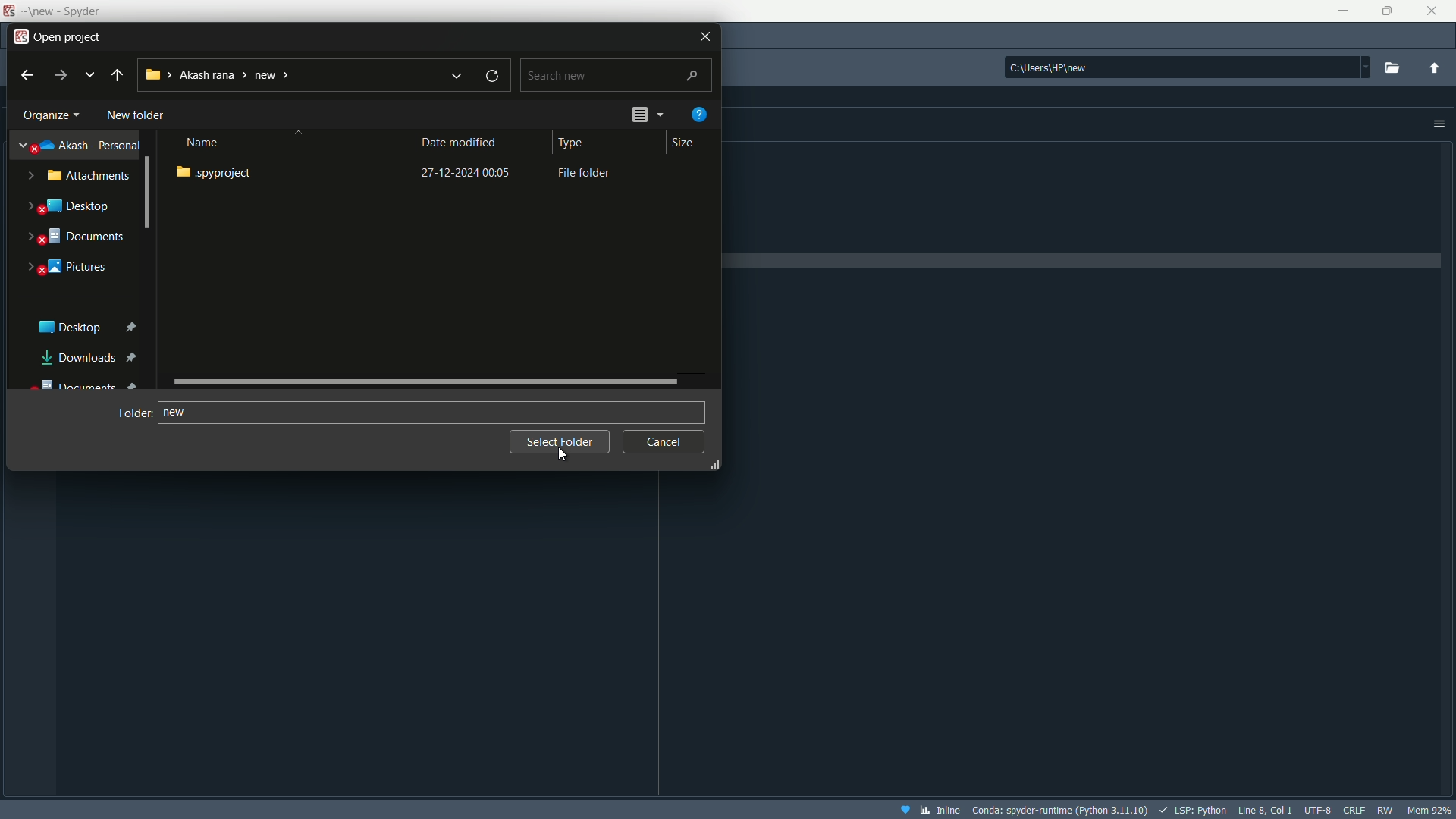  Describe the element at coordinates (1341, 9) in the screenshot. I see `minimize` at that location.